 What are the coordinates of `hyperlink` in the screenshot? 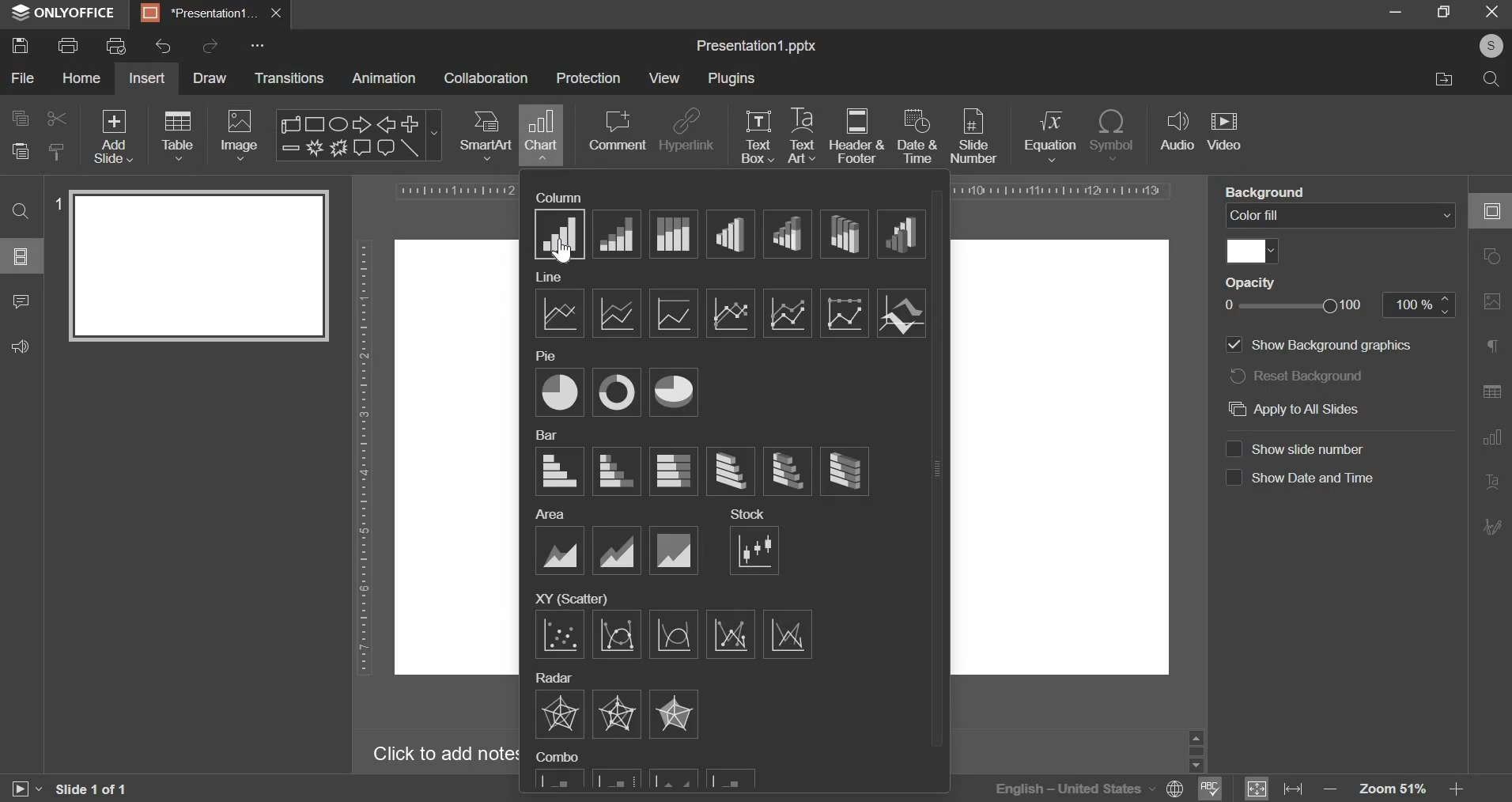 It's located at (687, 127).